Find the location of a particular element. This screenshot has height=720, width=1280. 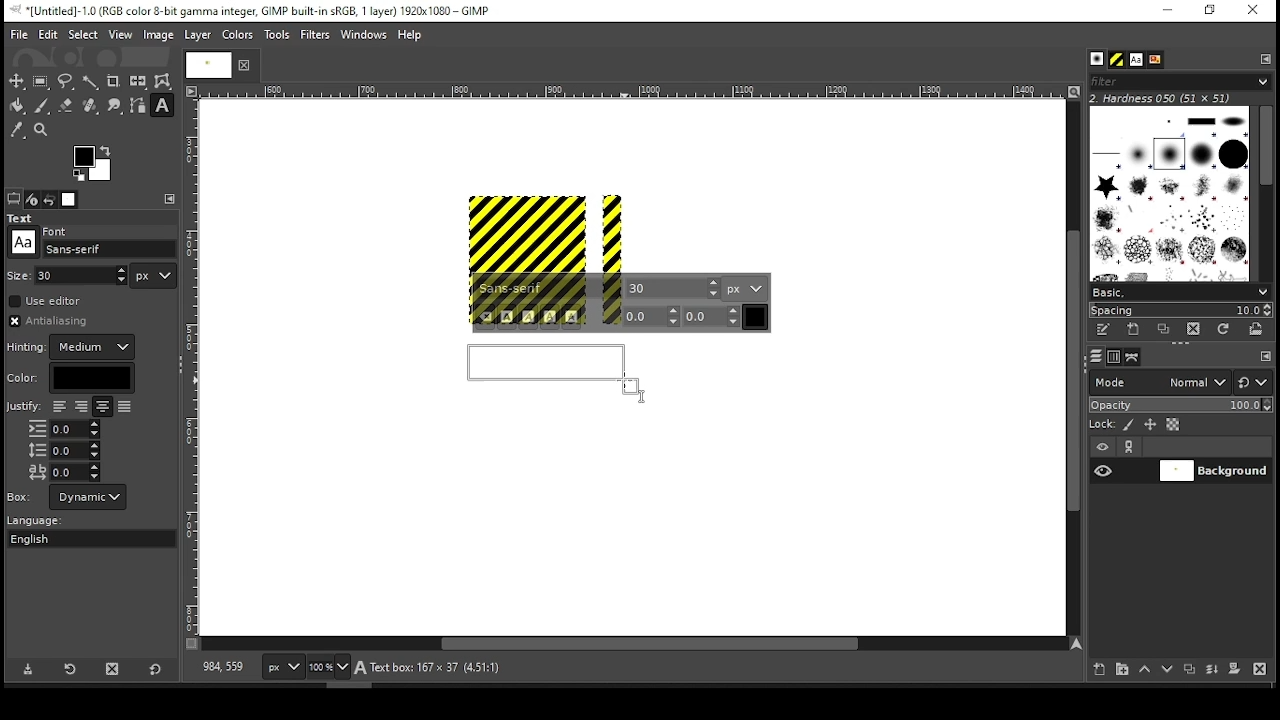

active text frame is located at coordinates (551, 370).